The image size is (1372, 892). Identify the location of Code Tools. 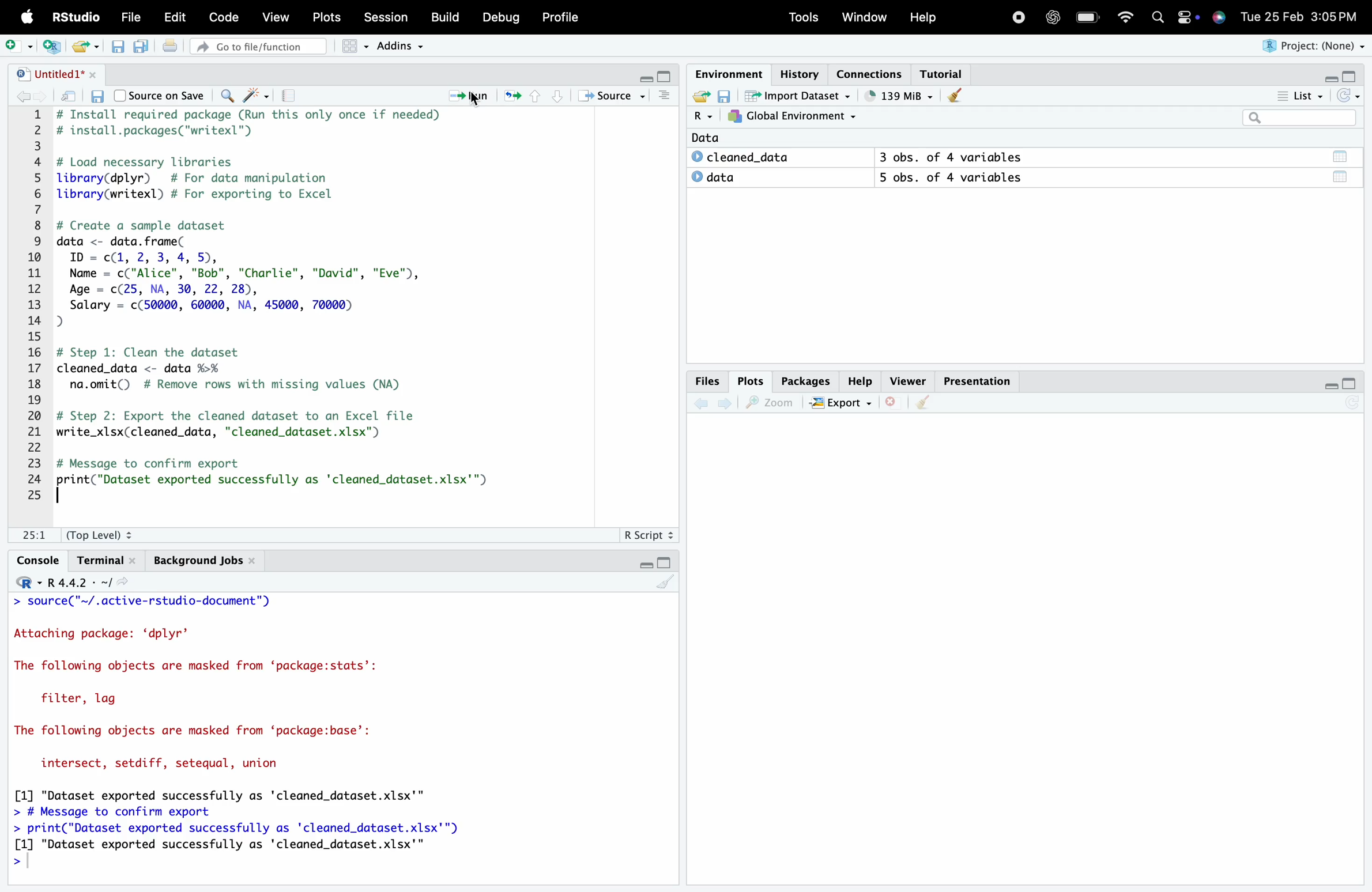
(257, 95).